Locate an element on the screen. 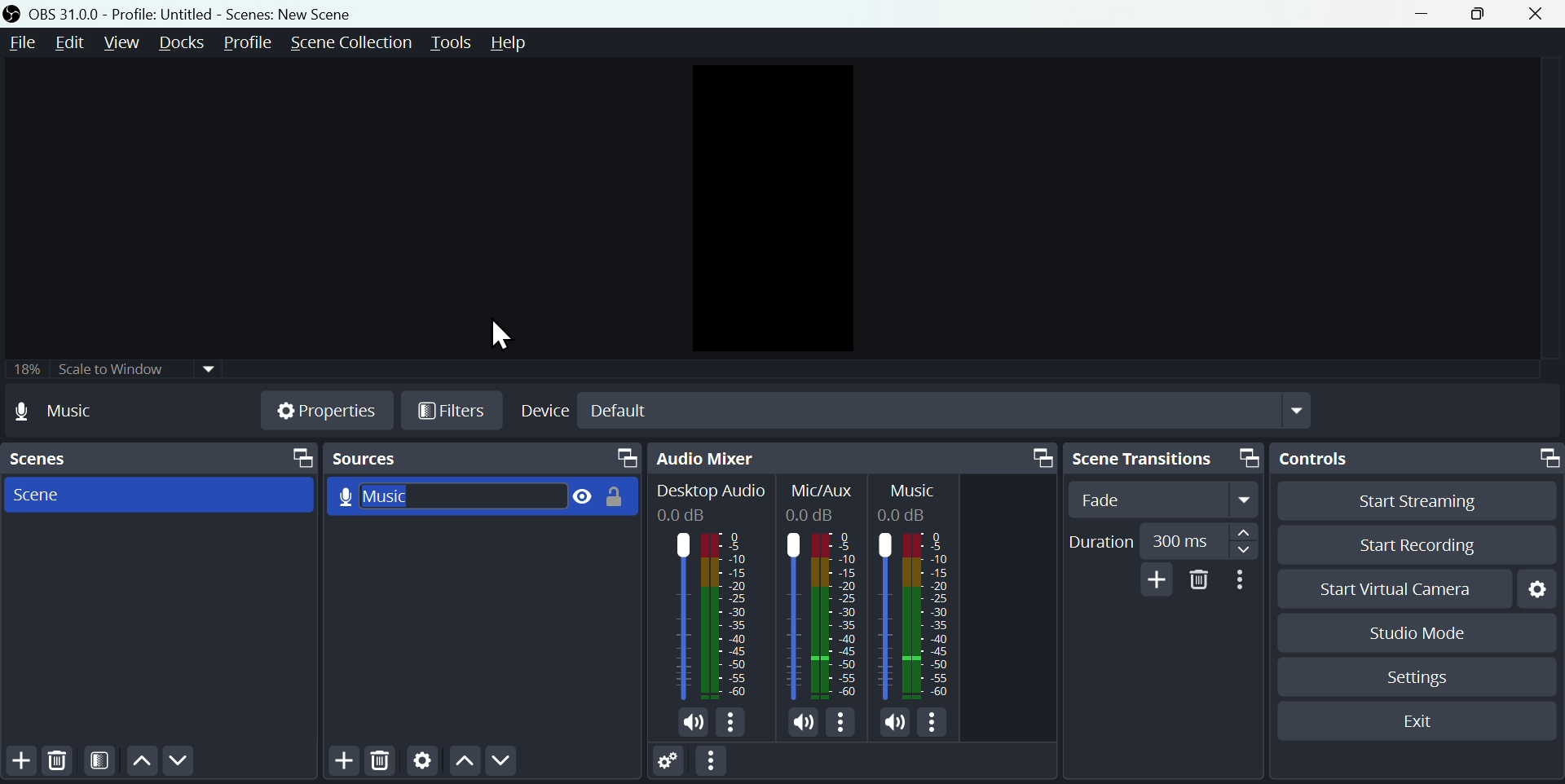  Settings is located at coordinates (1537, 592).